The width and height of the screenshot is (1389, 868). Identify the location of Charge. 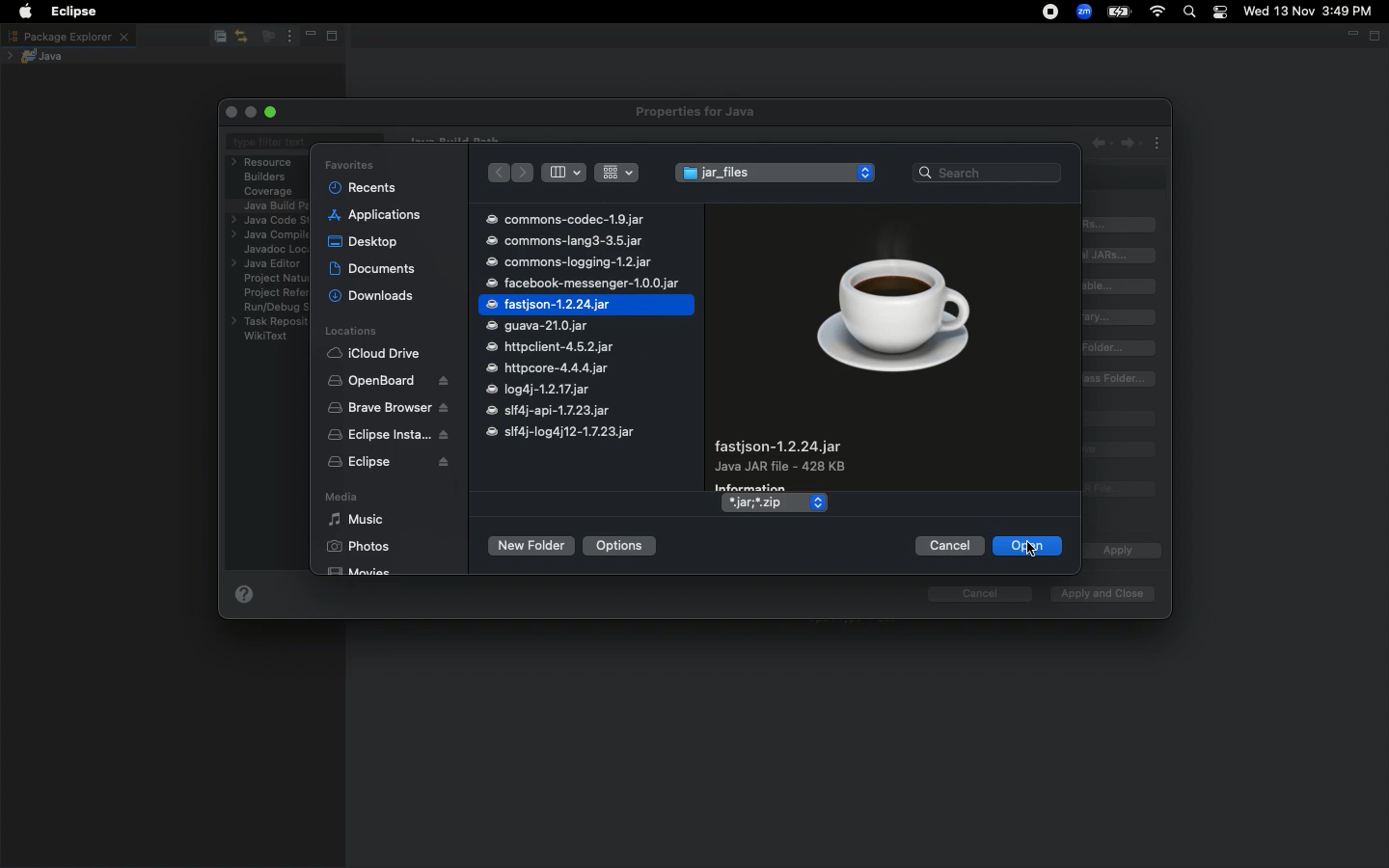
(1119, 12).